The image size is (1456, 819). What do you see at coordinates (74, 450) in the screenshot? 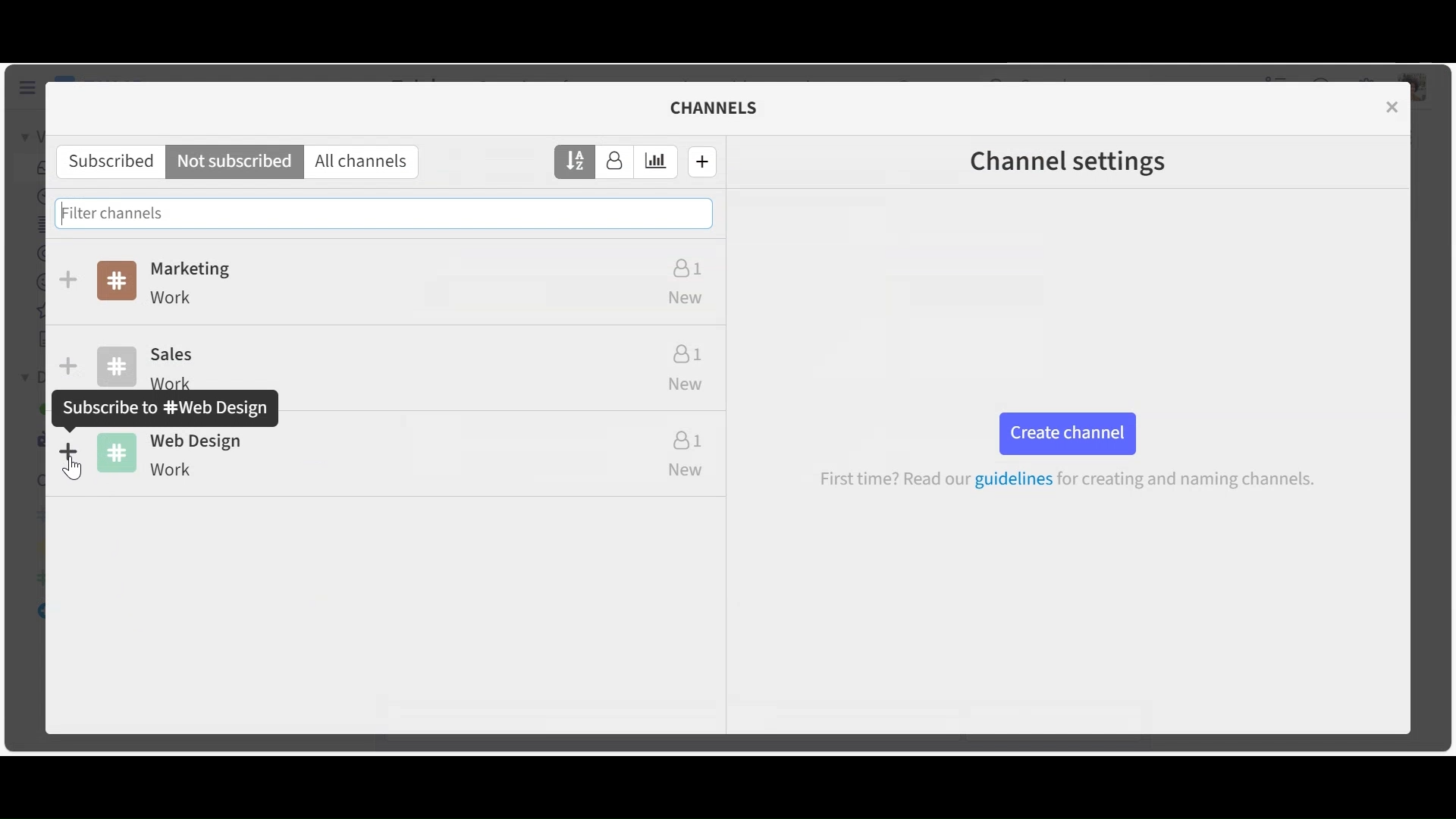
I see `subscribe/unsubscribe` at bounding box center [74, 450].